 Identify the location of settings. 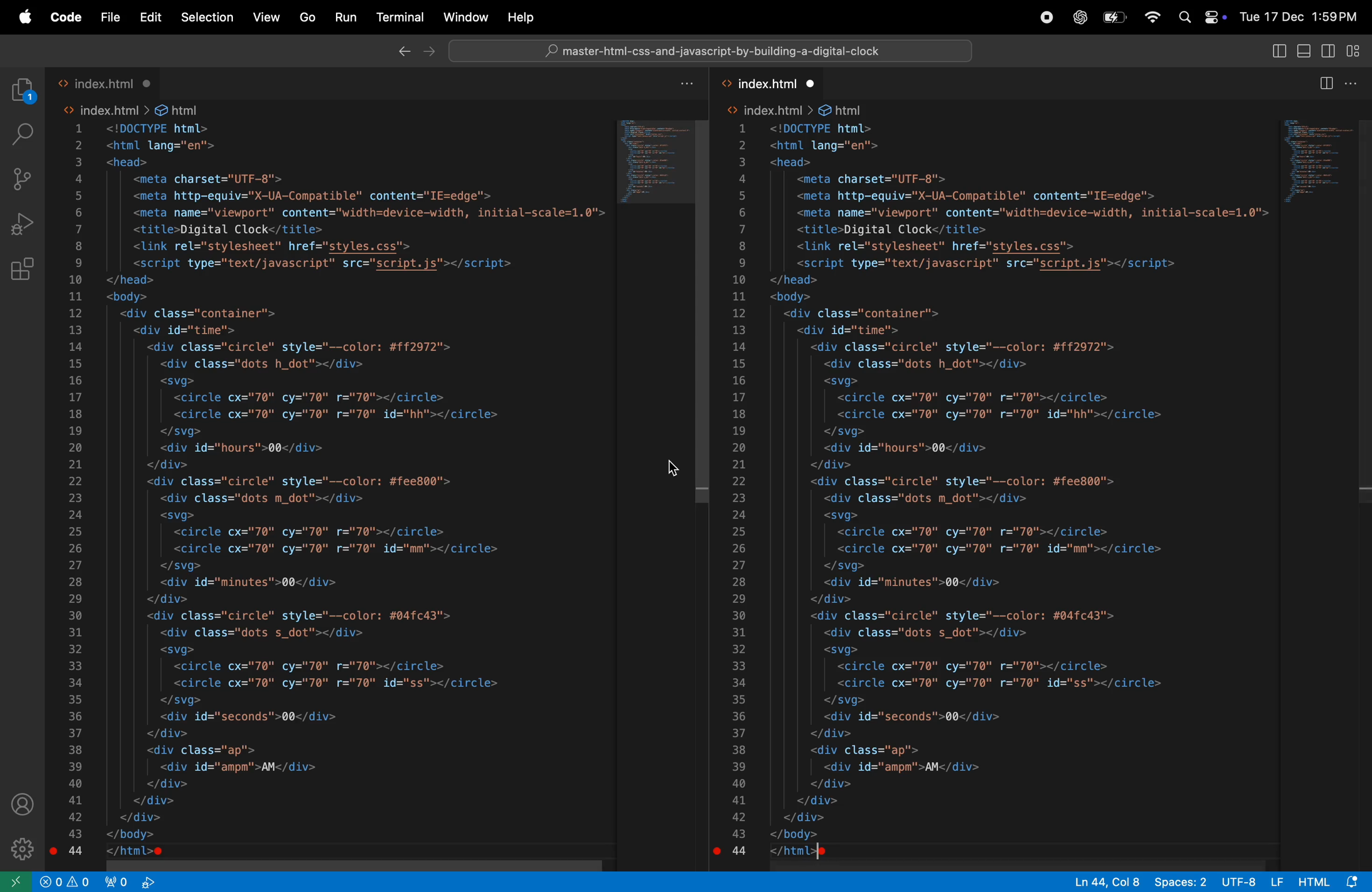
(22, 846).